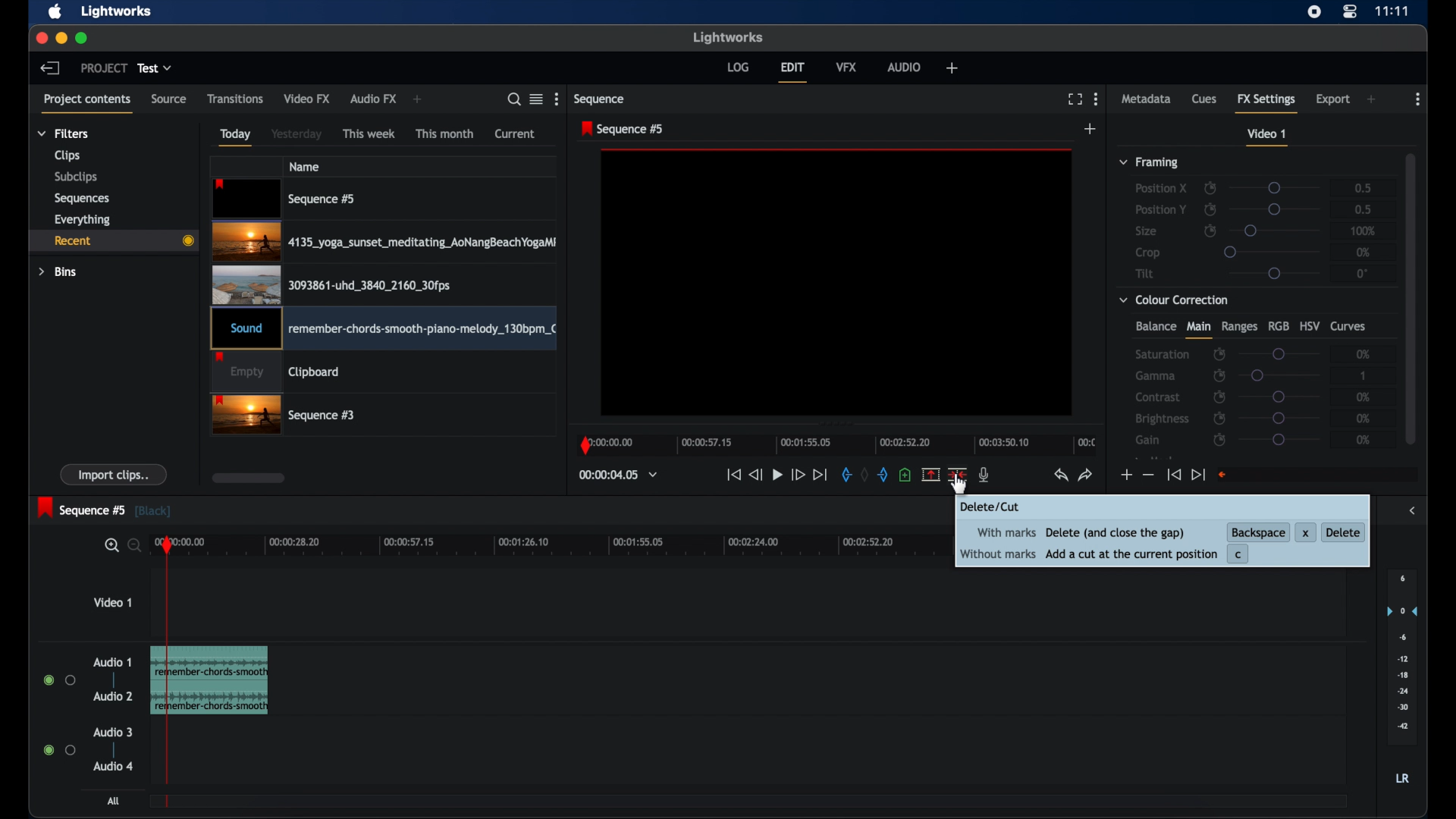 Image resolution: width=1456 pixels, height=819 pixels. I want to click on filters, so click(64, 133).